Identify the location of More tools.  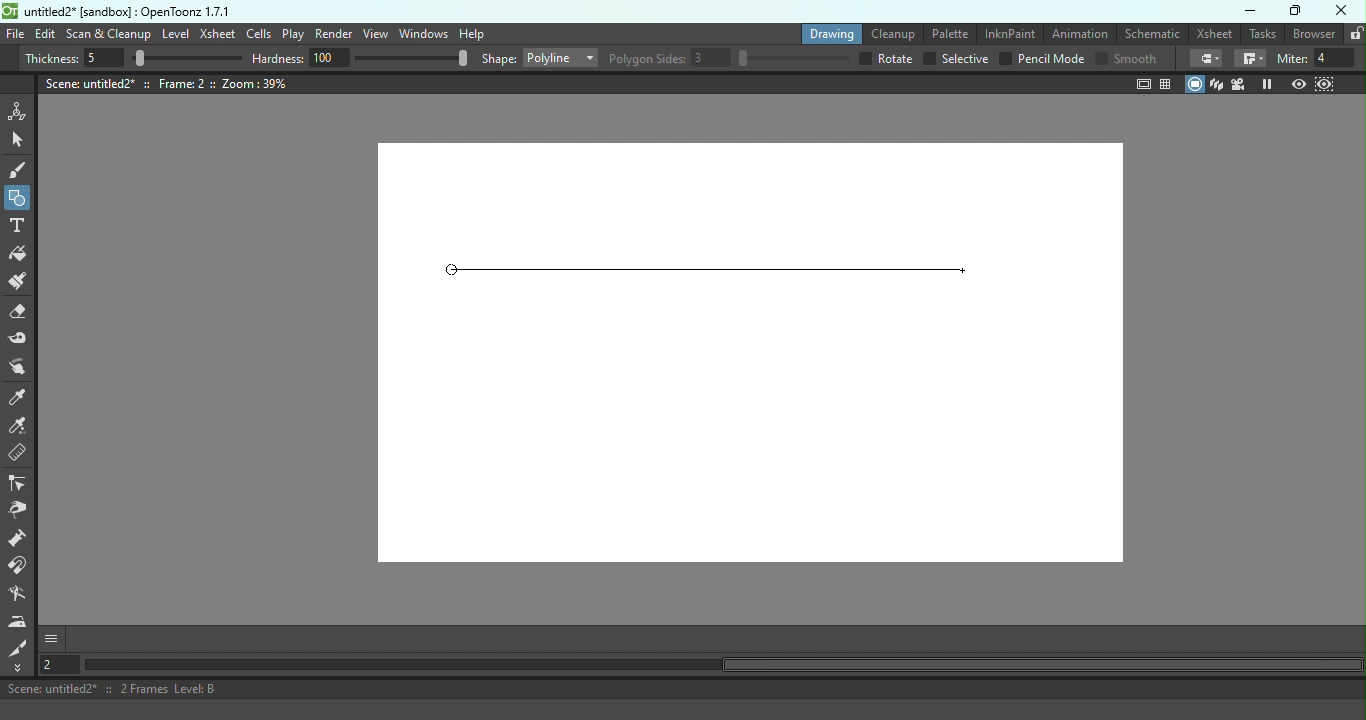
(21, 668).